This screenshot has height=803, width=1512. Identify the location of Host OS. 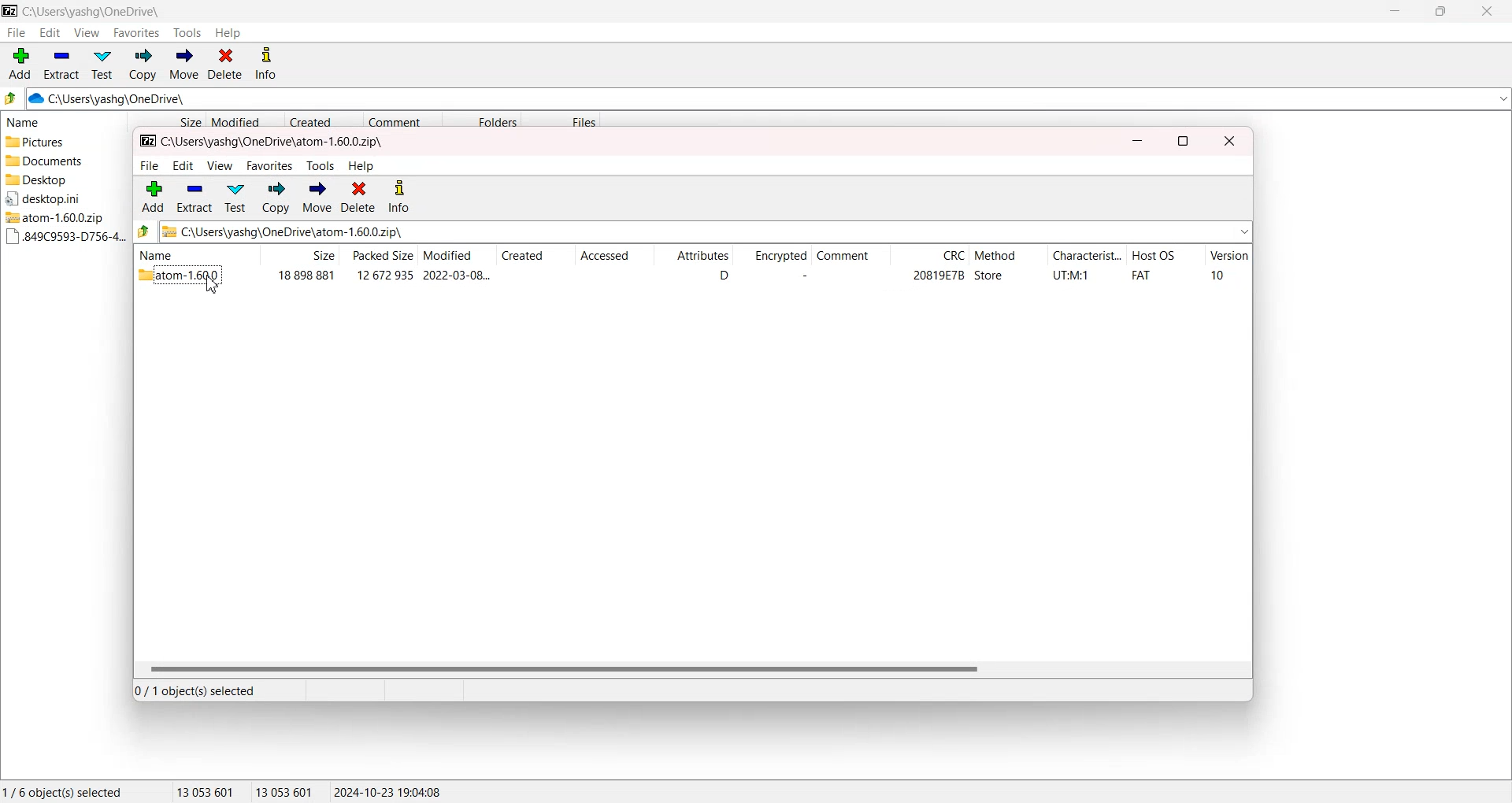
(1165, 257).